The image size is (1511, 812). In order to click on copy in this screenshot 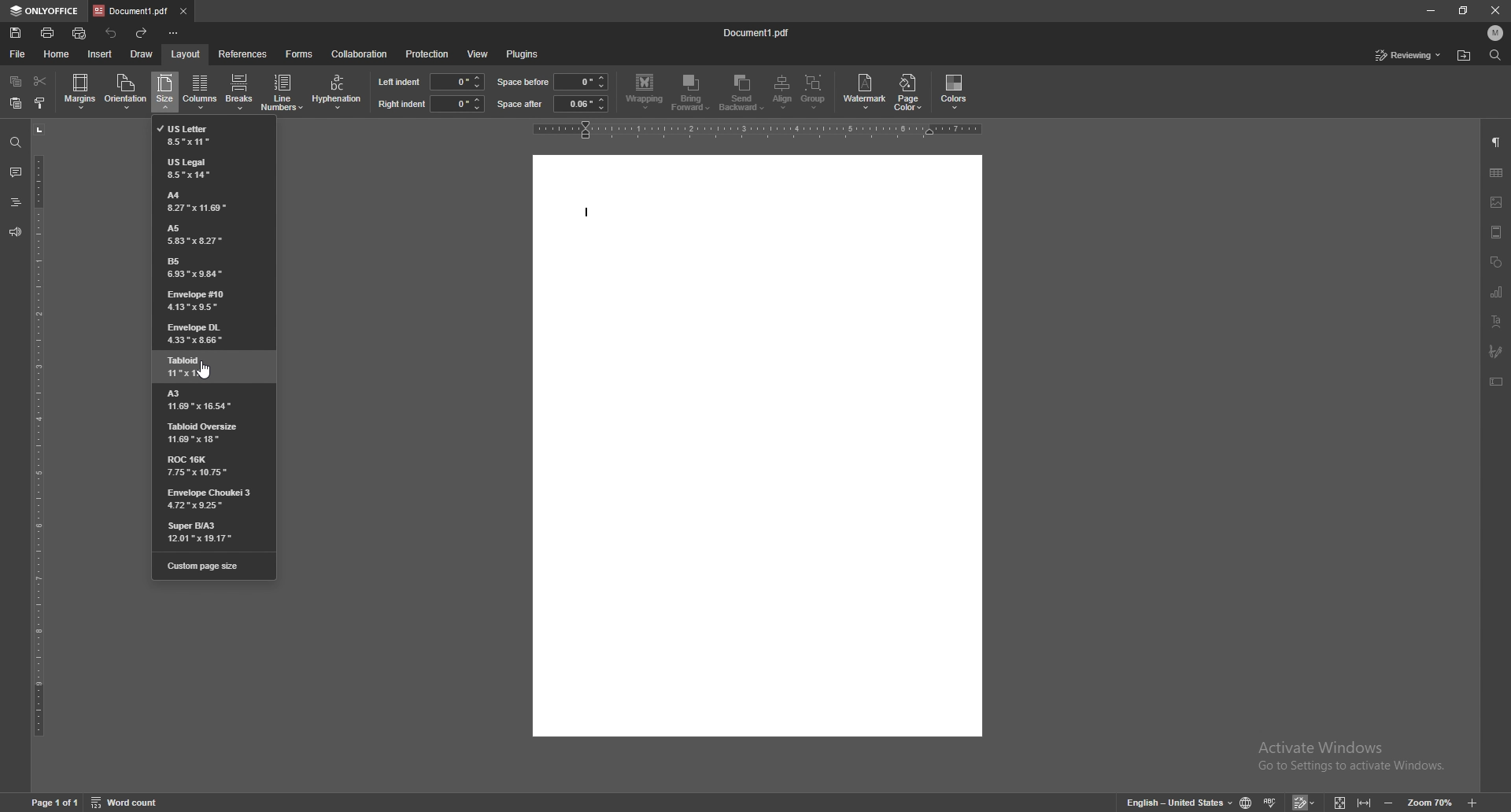, I will do `click(17, 81)`.